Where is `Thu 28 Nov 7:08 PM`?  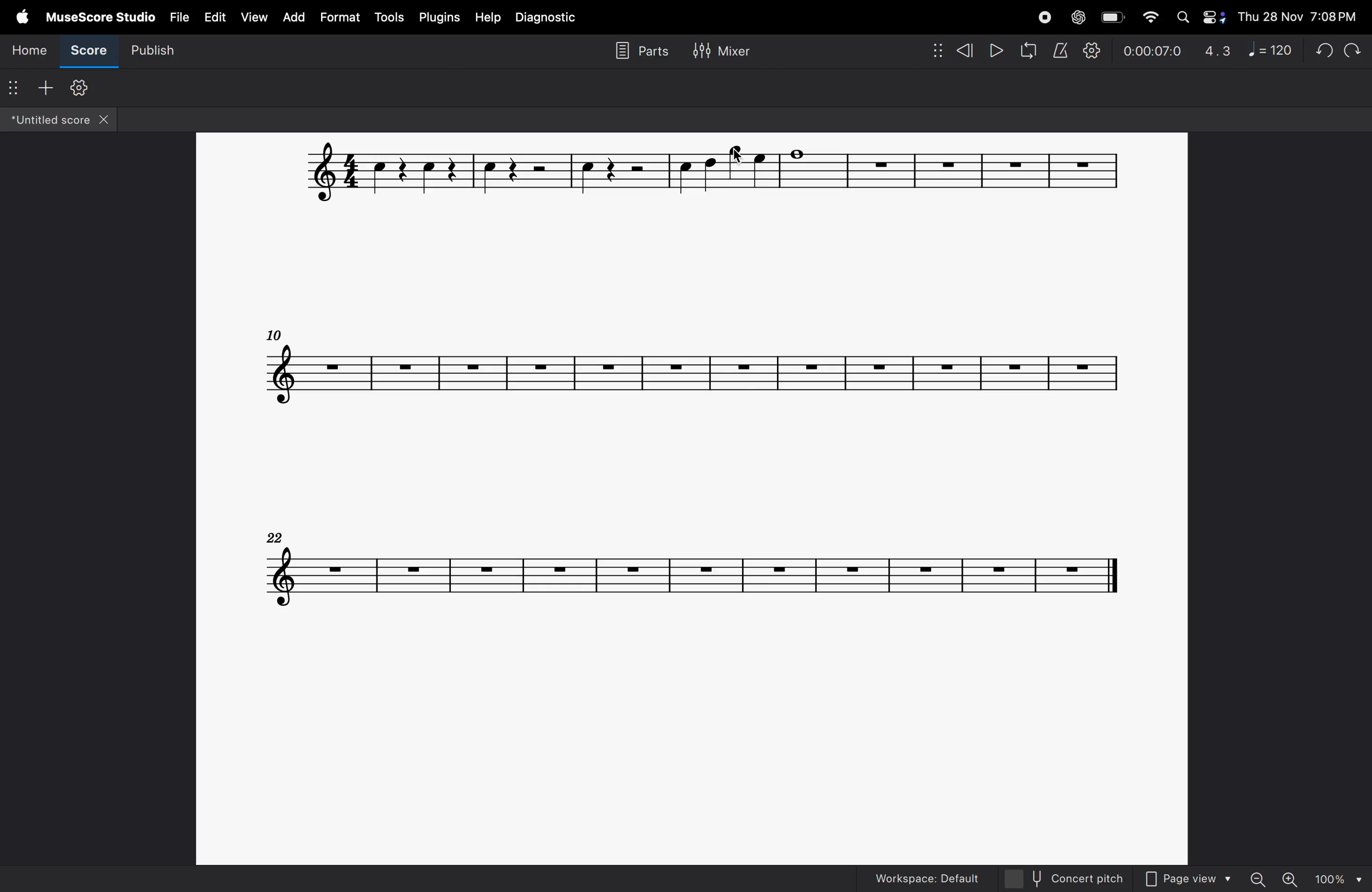 Thu 28 Nov 7:08 PM is located at coordinates (1299, 17).